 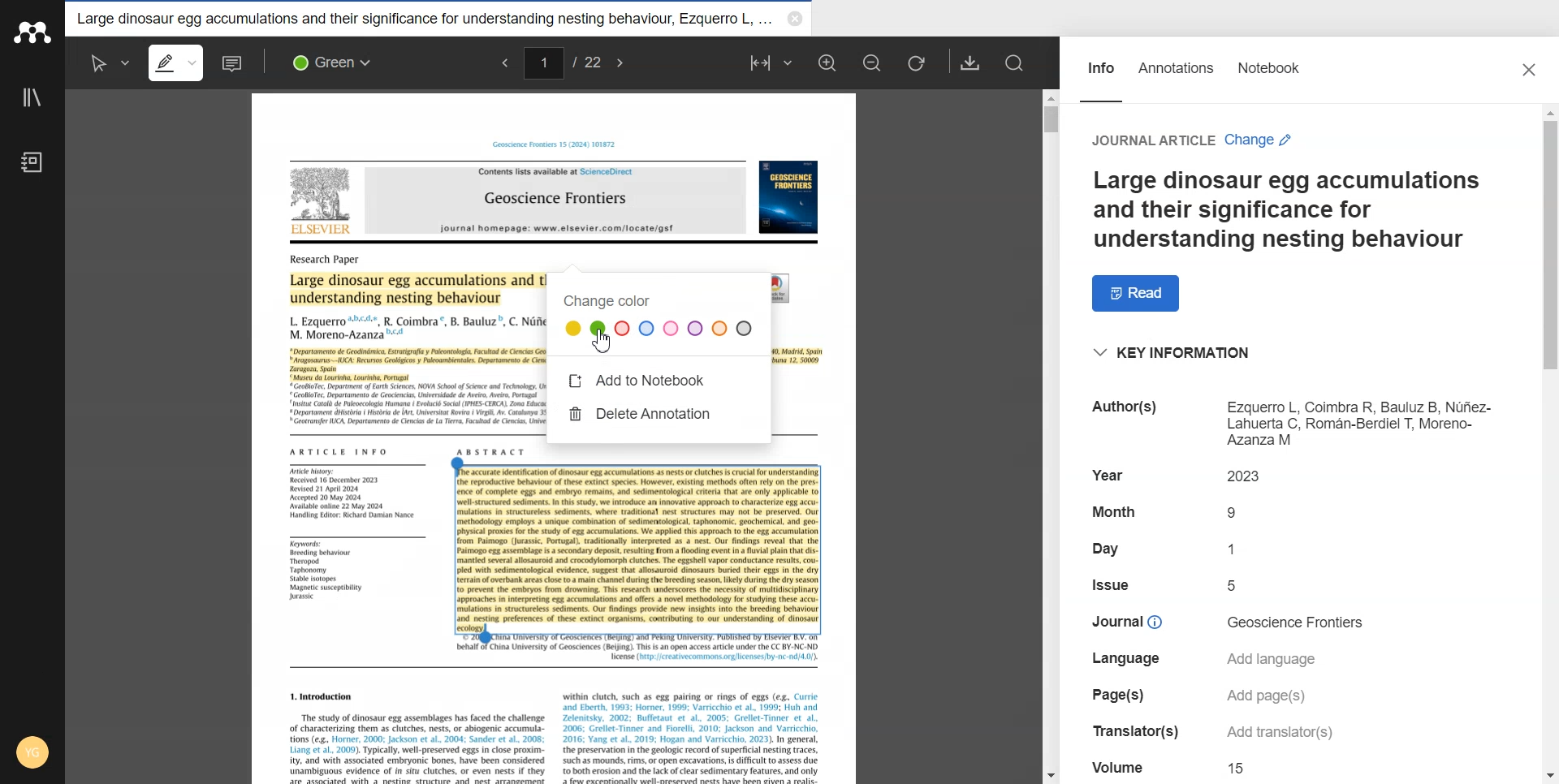 I want to click on Vertical scroll bar, so click(x=1053, y=432).